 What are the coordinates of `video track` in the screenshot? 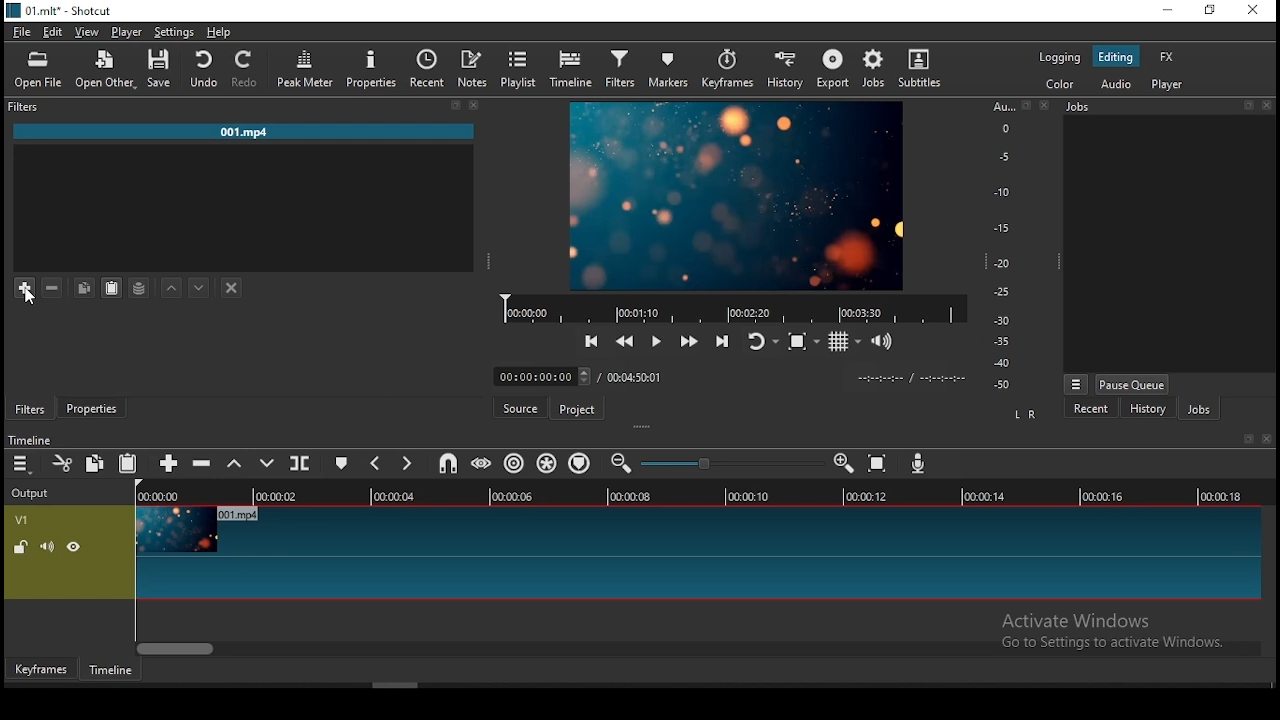 It's located at (635, 551).